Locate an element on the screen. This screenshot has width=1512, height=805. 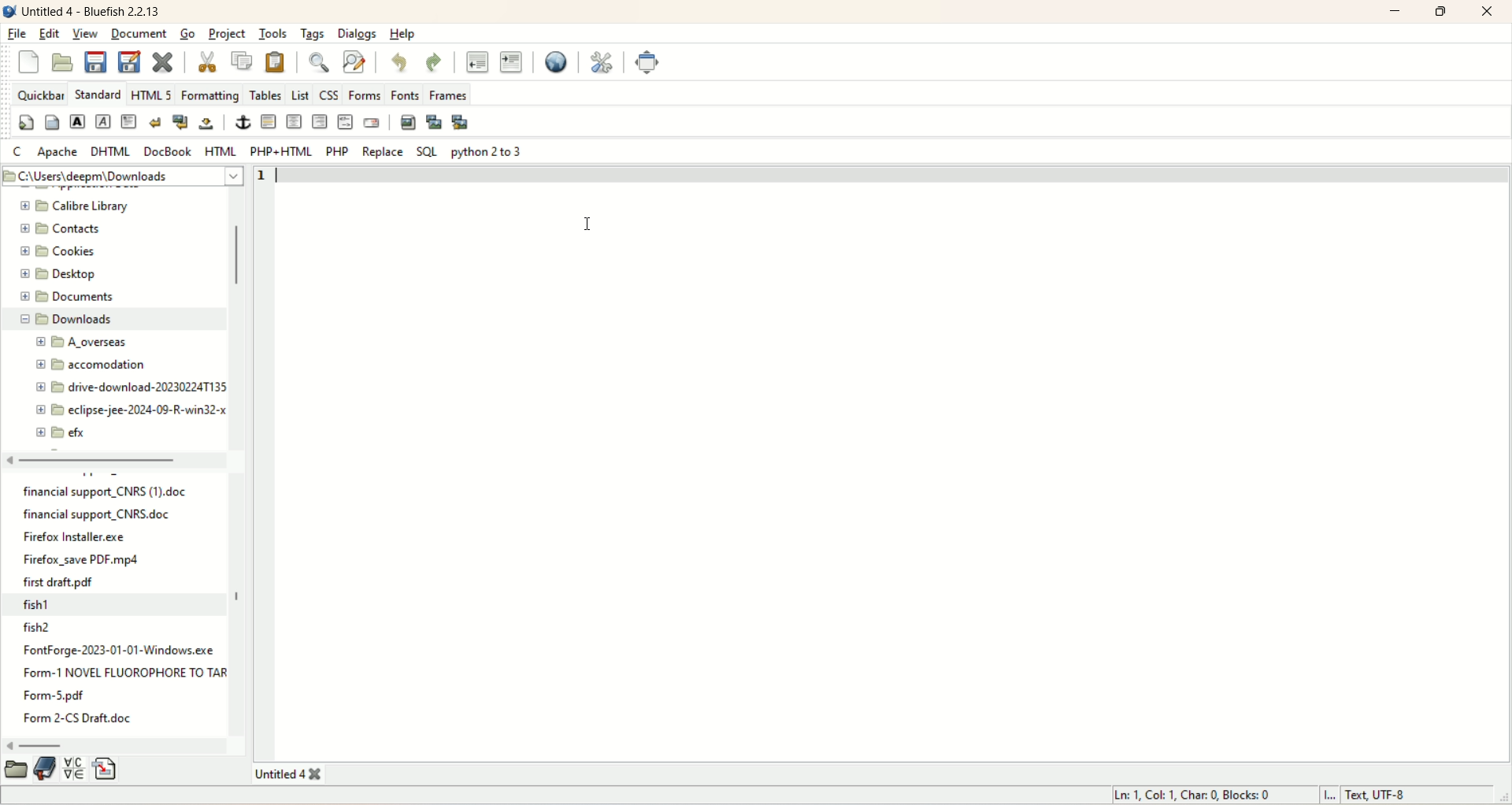
desktop is located at coordinates (61, 277).